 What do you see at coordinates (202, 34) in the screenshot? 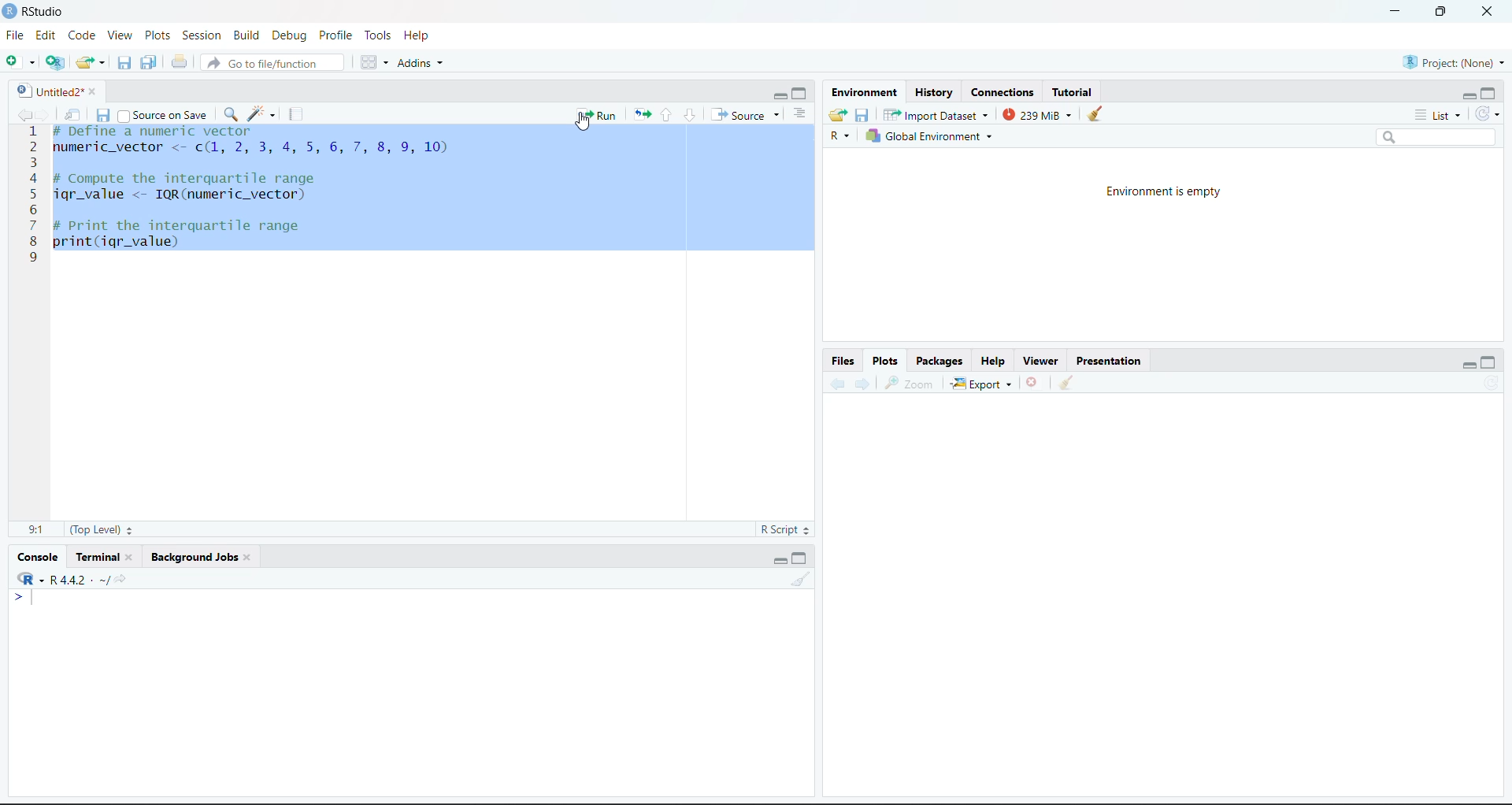
I see `Session` at bounding box center [202, 34].